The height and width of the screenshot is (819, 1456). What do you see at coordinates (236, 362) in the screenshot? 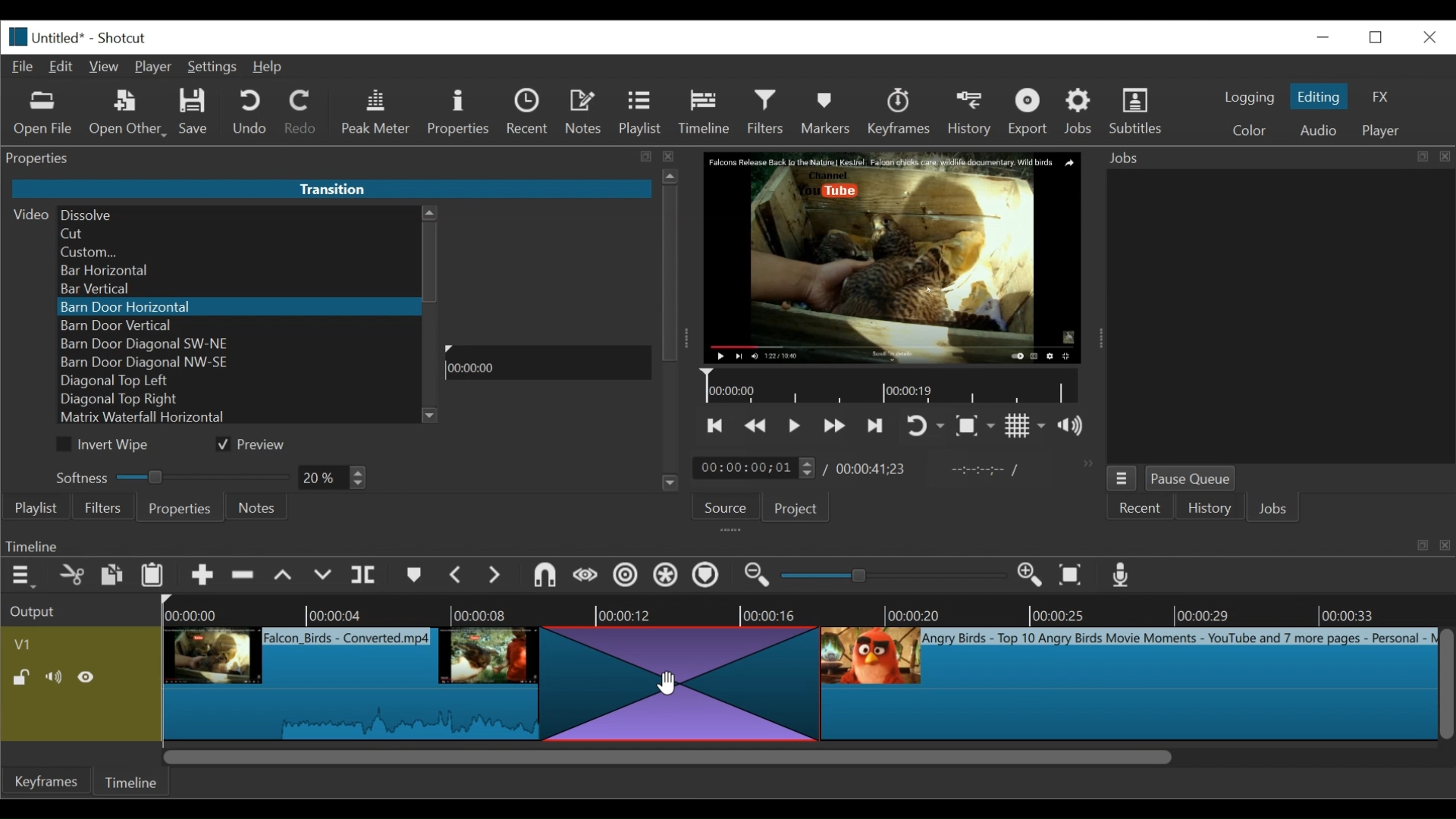
I see `Barn Door Diagonal NW SE` at bounding box center [236, 362].